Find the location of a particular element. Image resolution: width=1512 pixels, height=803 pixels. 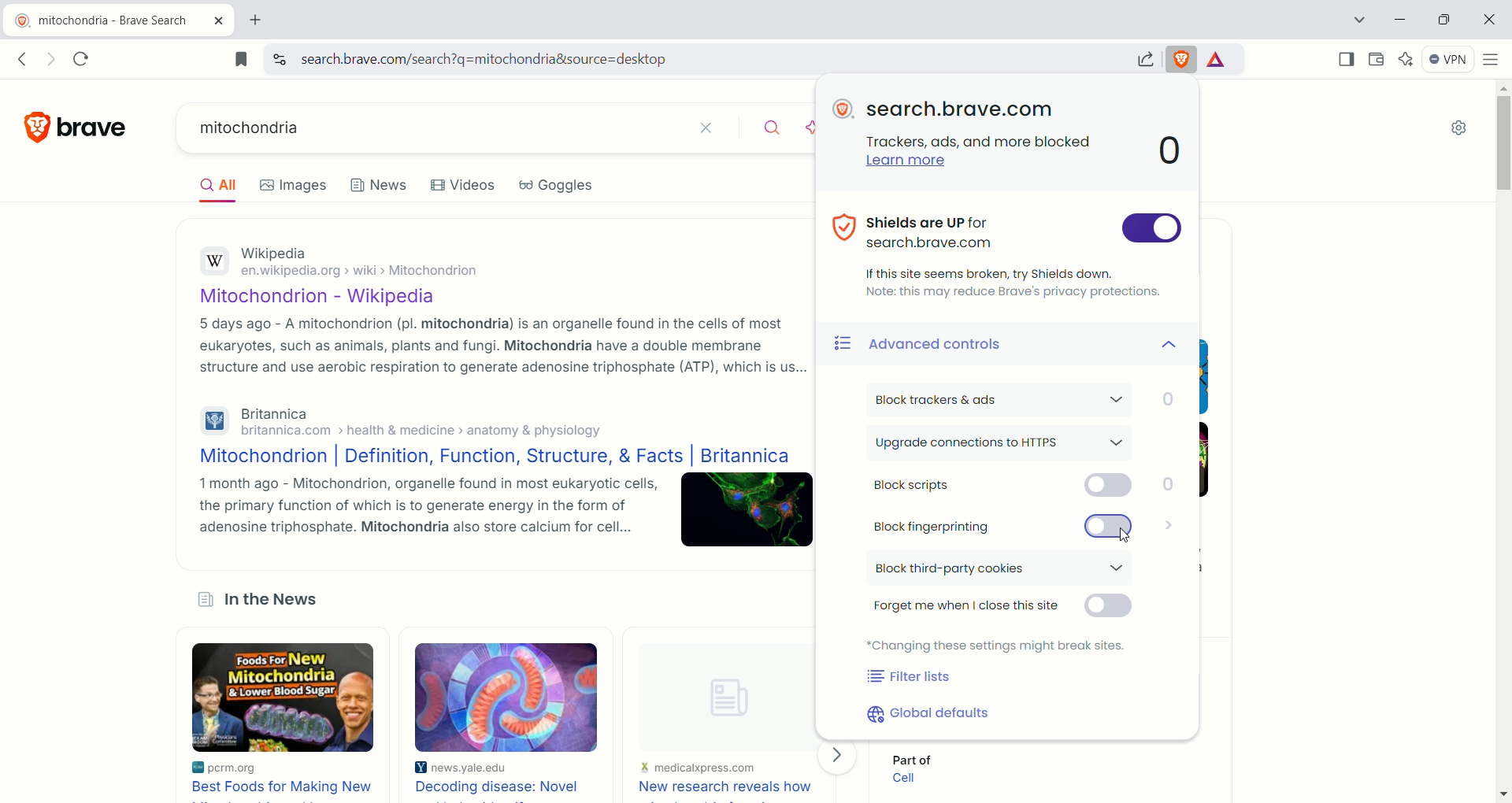

logo is located at coordinates (31, 128).